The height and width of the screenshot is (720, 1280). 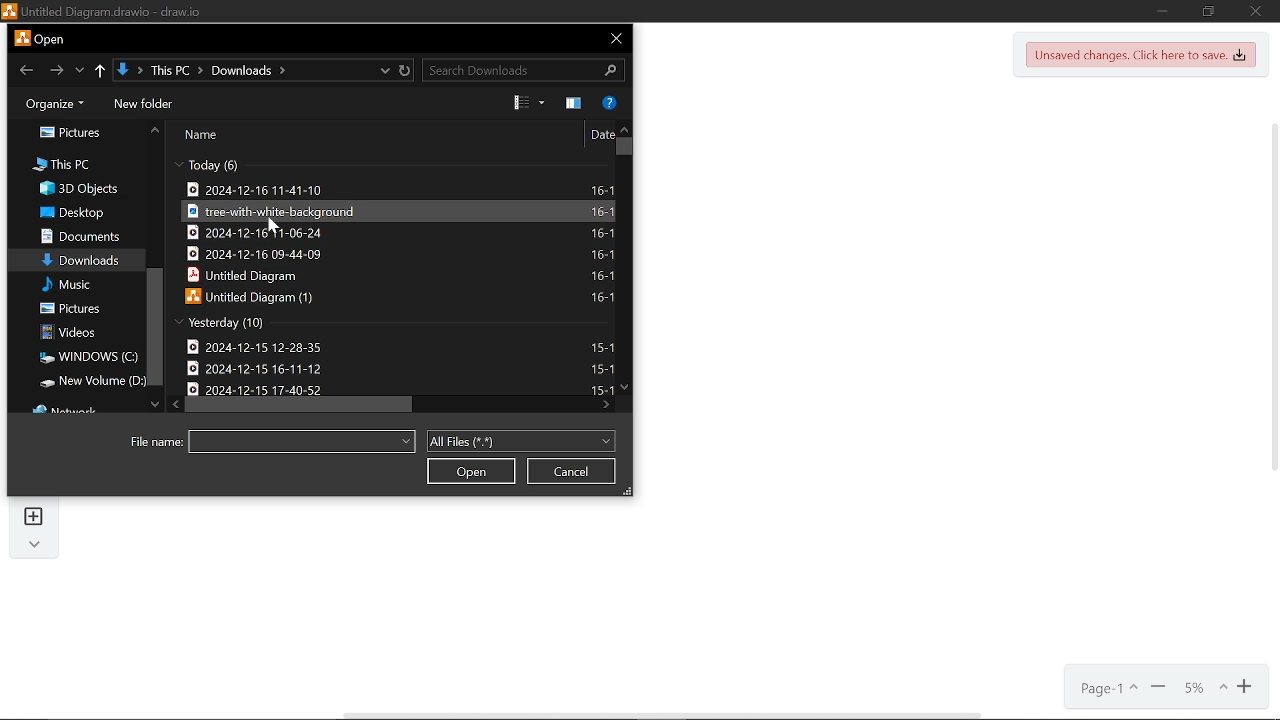 I want to click on Precious locations, so click(x=386, y=72).